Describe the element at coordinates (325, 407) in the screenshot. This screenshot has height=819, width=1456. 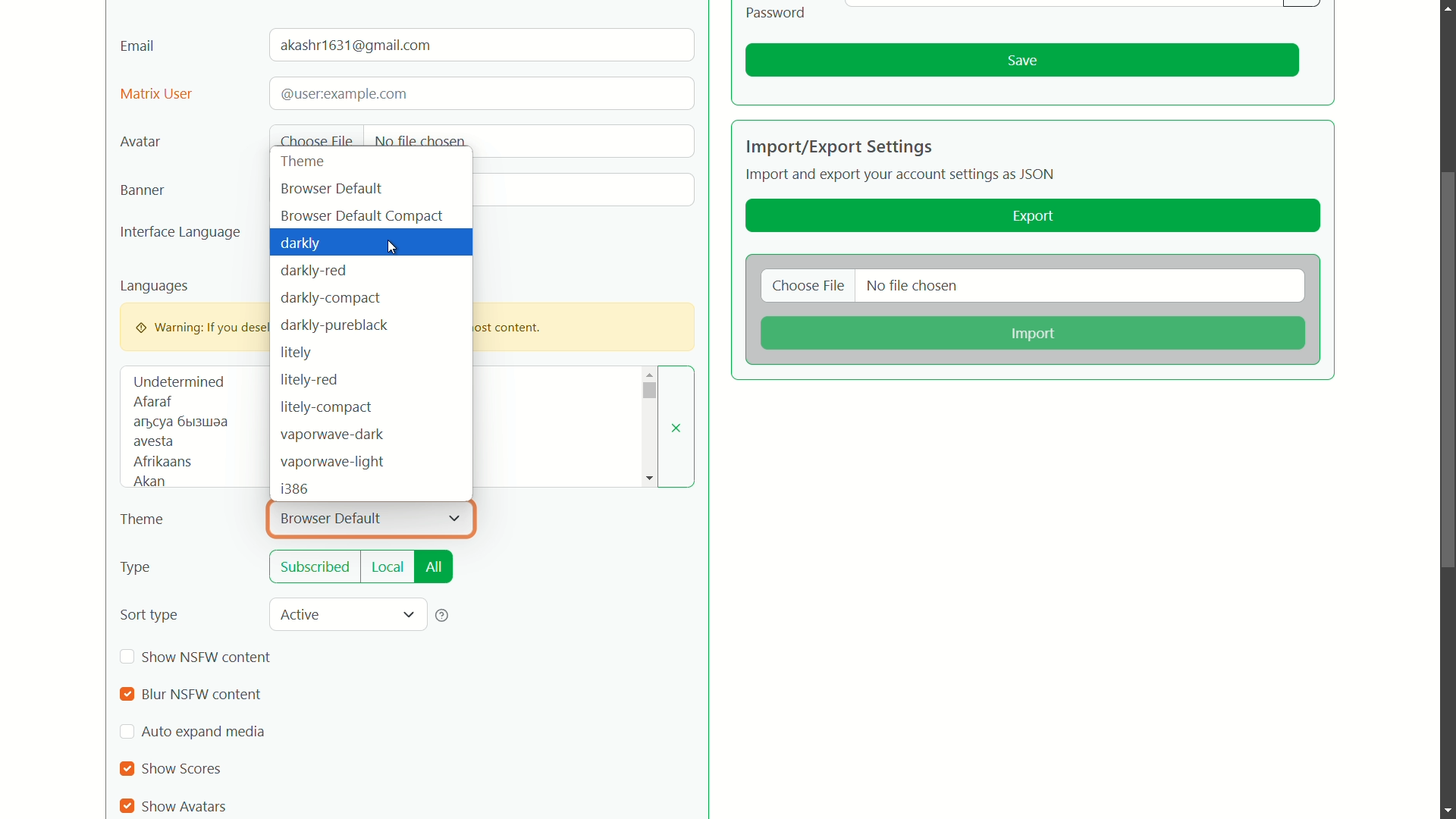
I see `litely compact` at that location.